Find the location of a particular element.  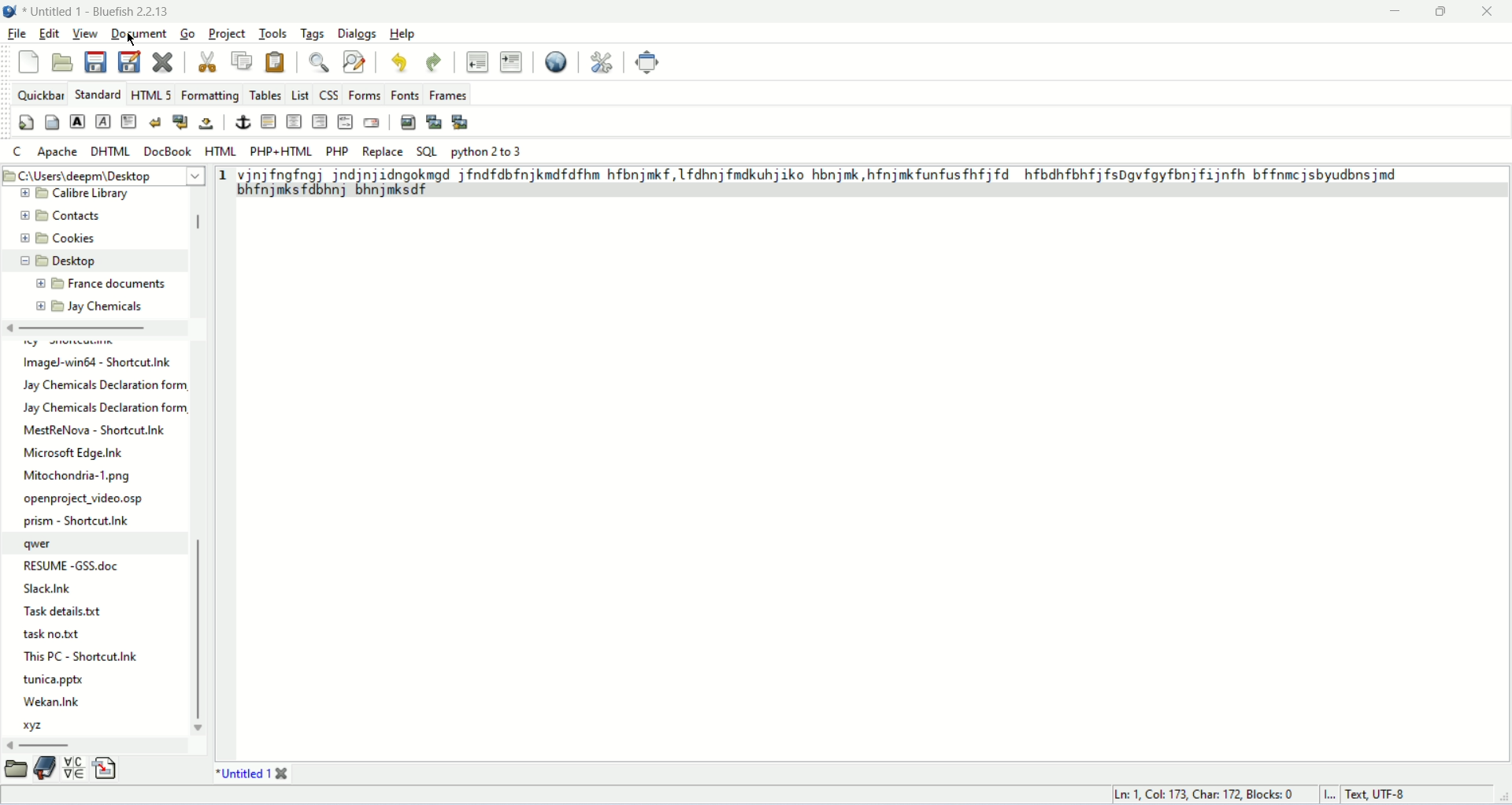

RESUME -GSS.doc is located at coordinates (73, 566).